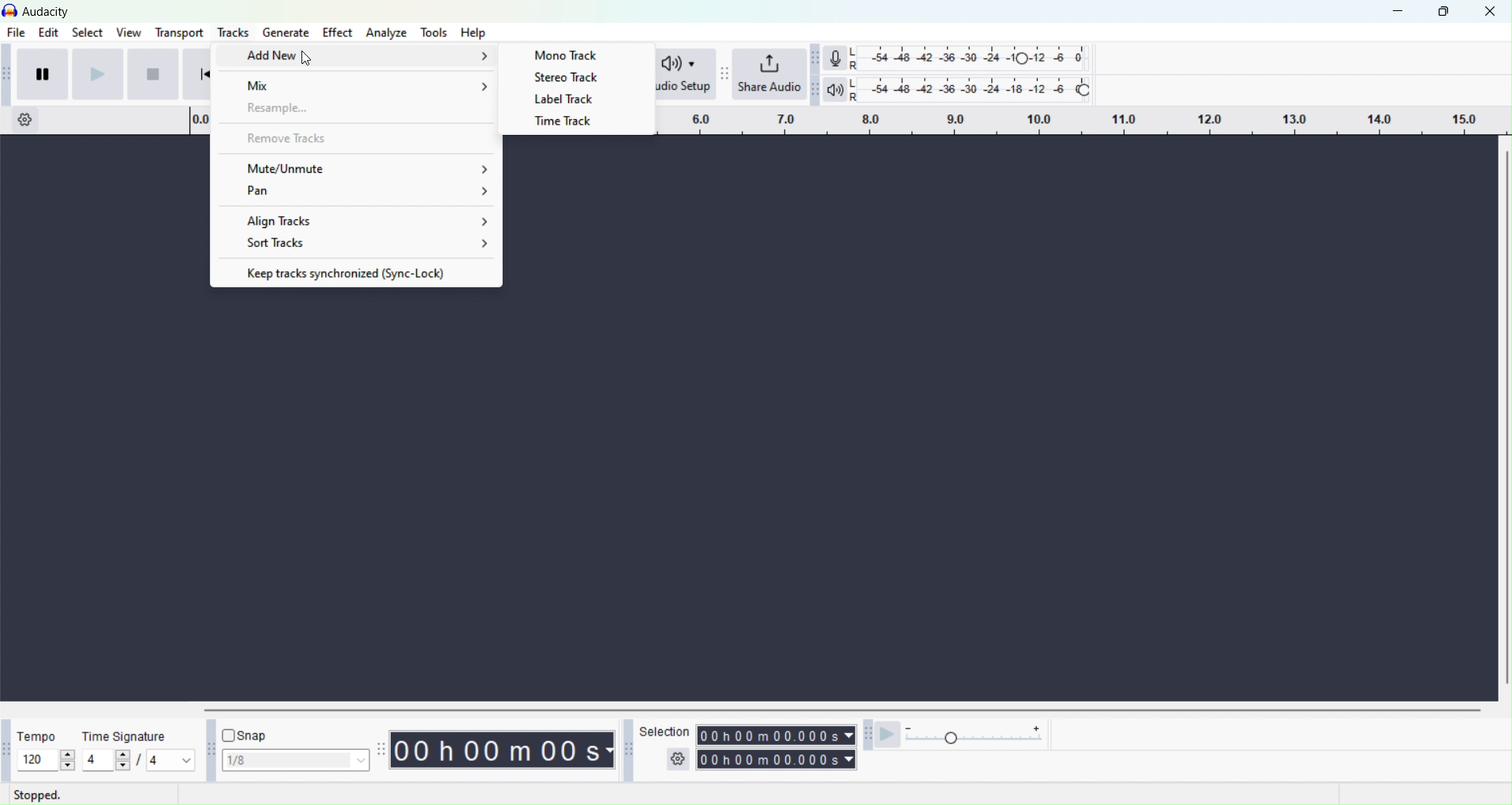  What do you see at coordinates (196, 73) in the screenshot?
I see `Skip to start` at bounding box center [196, 73].